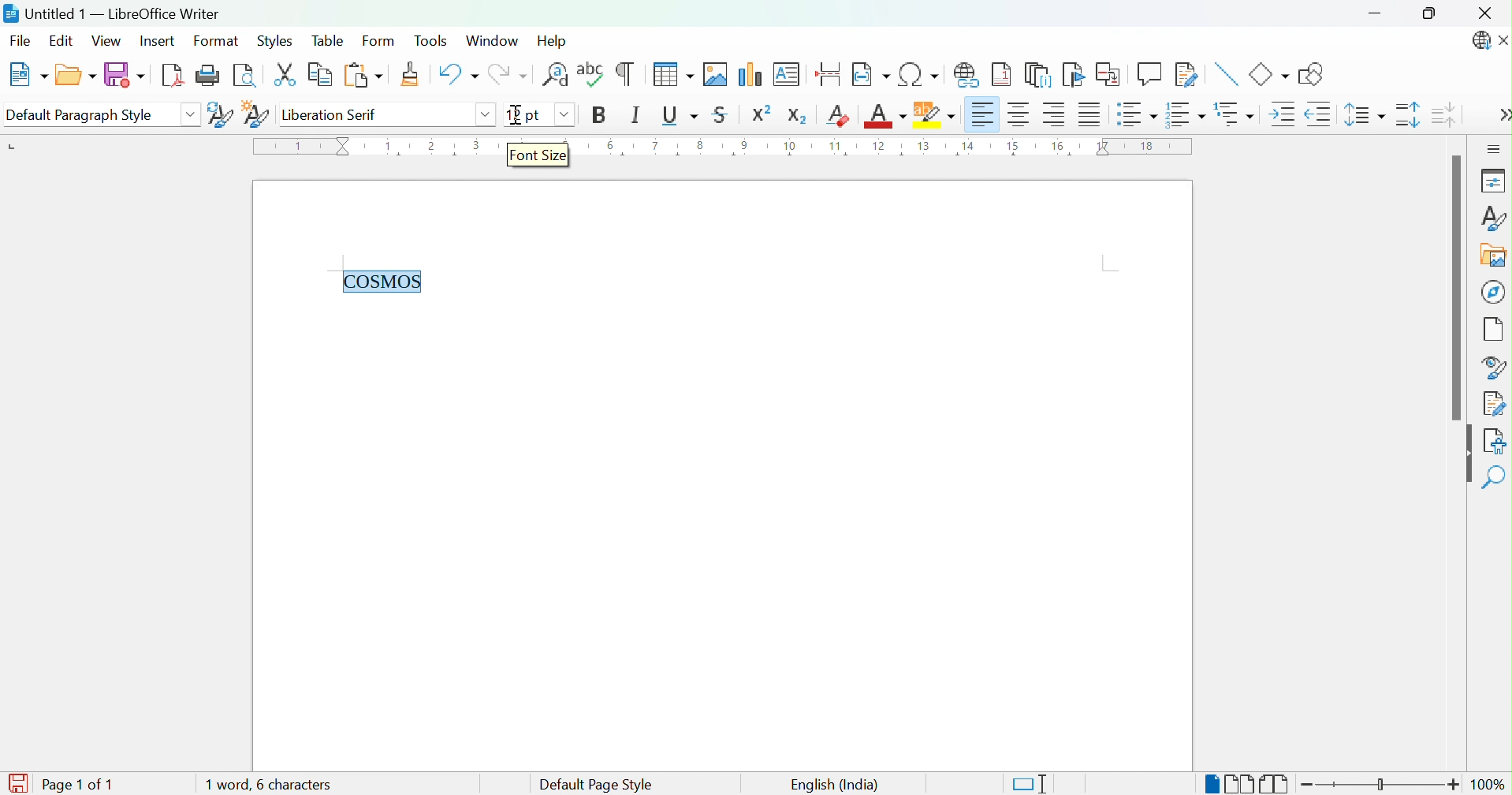 This screenshot has height=795, width=1512. What do you see at coordinates (512, 77) in the screenshot?
I see `Redo` at bounding box center [512, 77].